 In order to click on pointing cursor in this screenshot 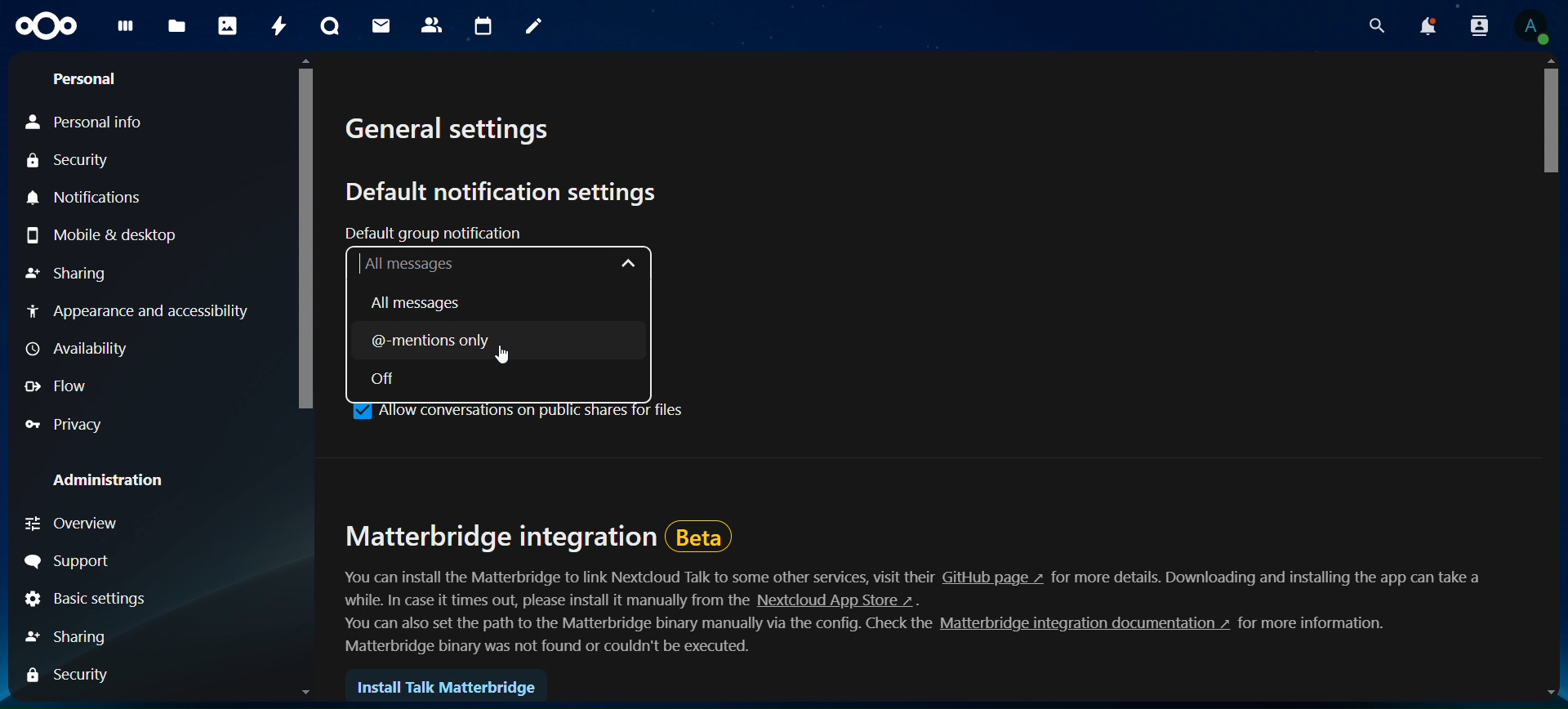, I will do `click(506, 354)`.